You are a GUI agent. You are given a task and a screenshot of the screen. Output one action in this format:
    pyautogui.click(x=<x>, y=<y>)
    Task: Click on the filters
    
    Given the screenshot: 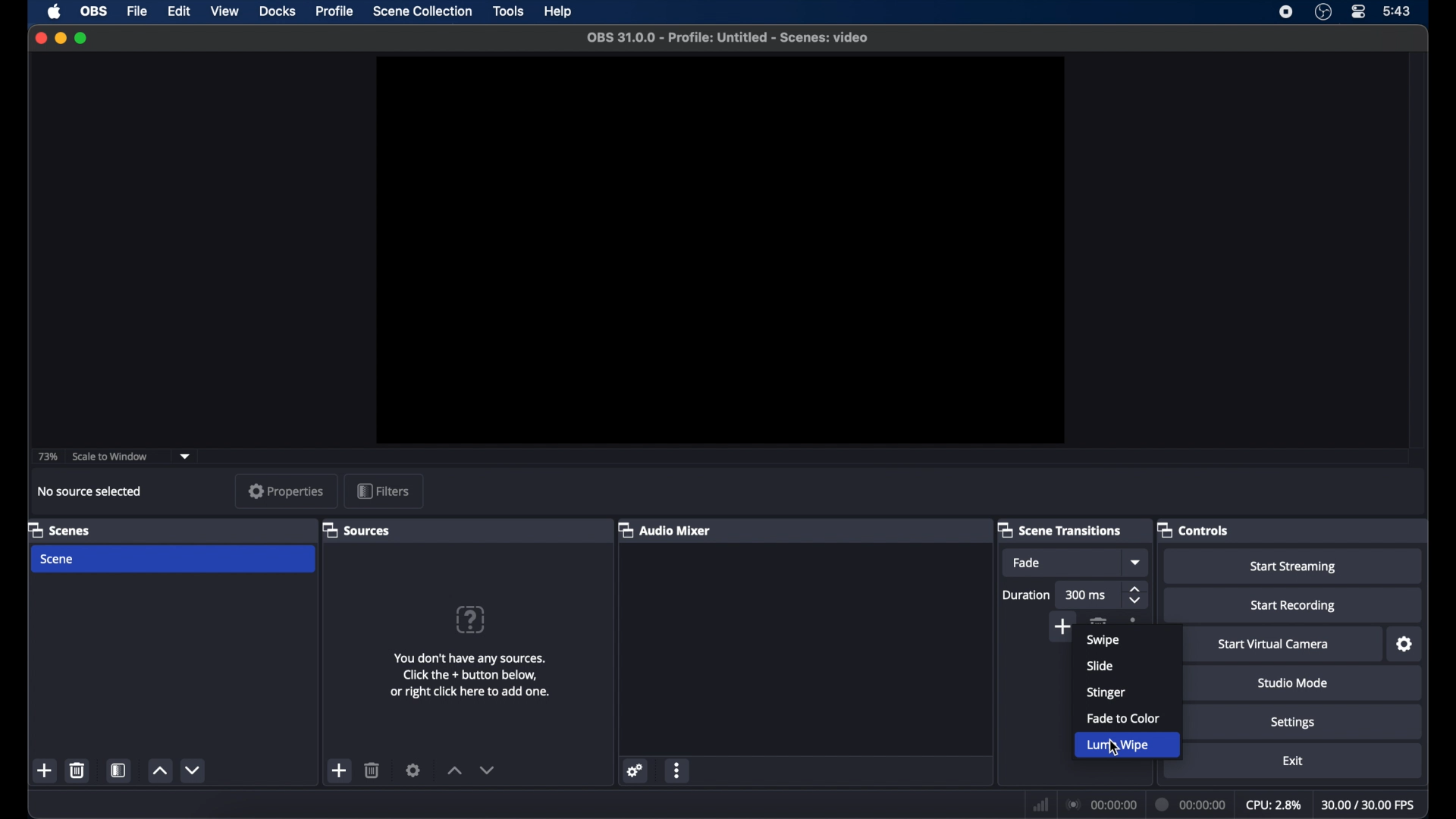 What is the action you would take?
    pyautogui.click(x=384, y=491)
    